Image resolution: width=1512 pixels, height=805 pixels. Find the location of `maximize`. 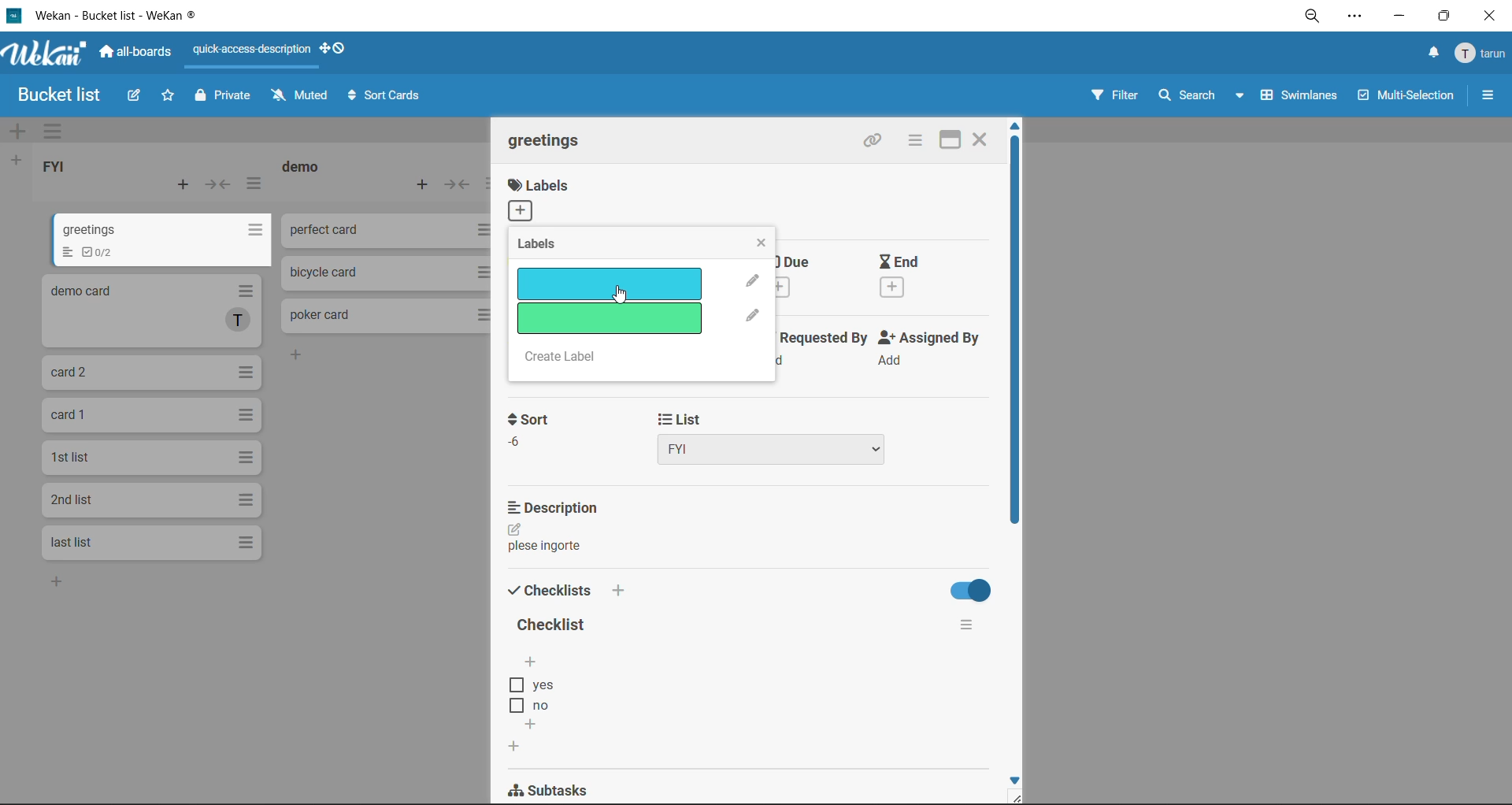

maximize is located at coordinates (950, 139).